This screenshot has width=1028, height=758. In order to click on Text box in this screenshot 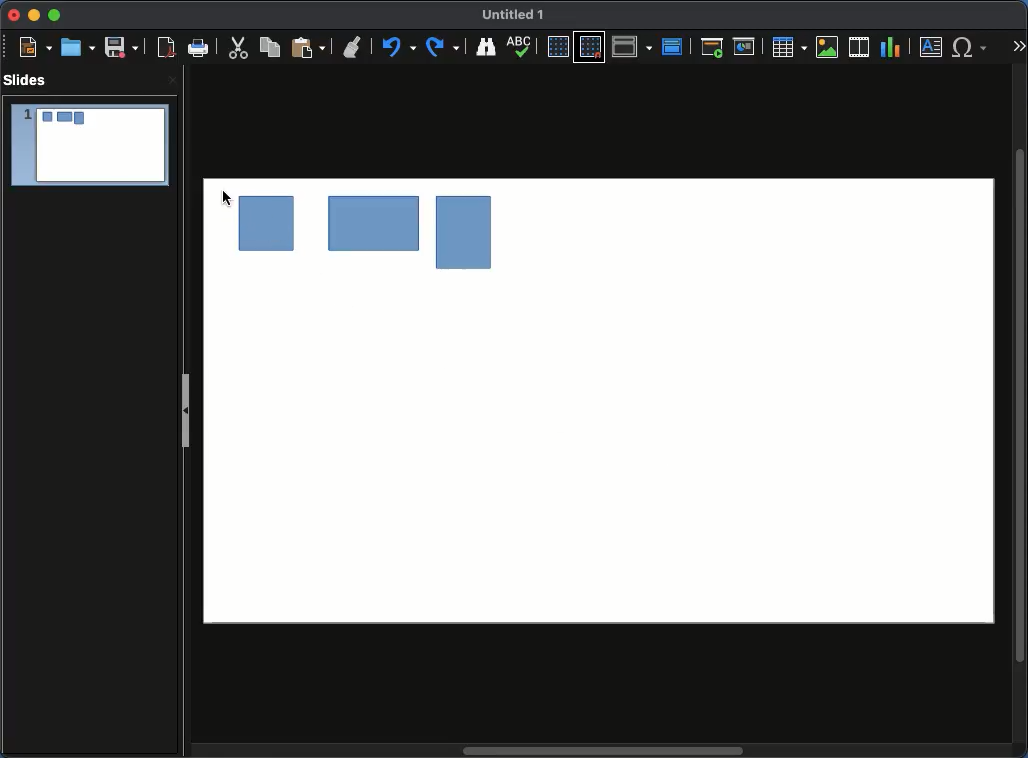, I will do `click(932, 47)`.